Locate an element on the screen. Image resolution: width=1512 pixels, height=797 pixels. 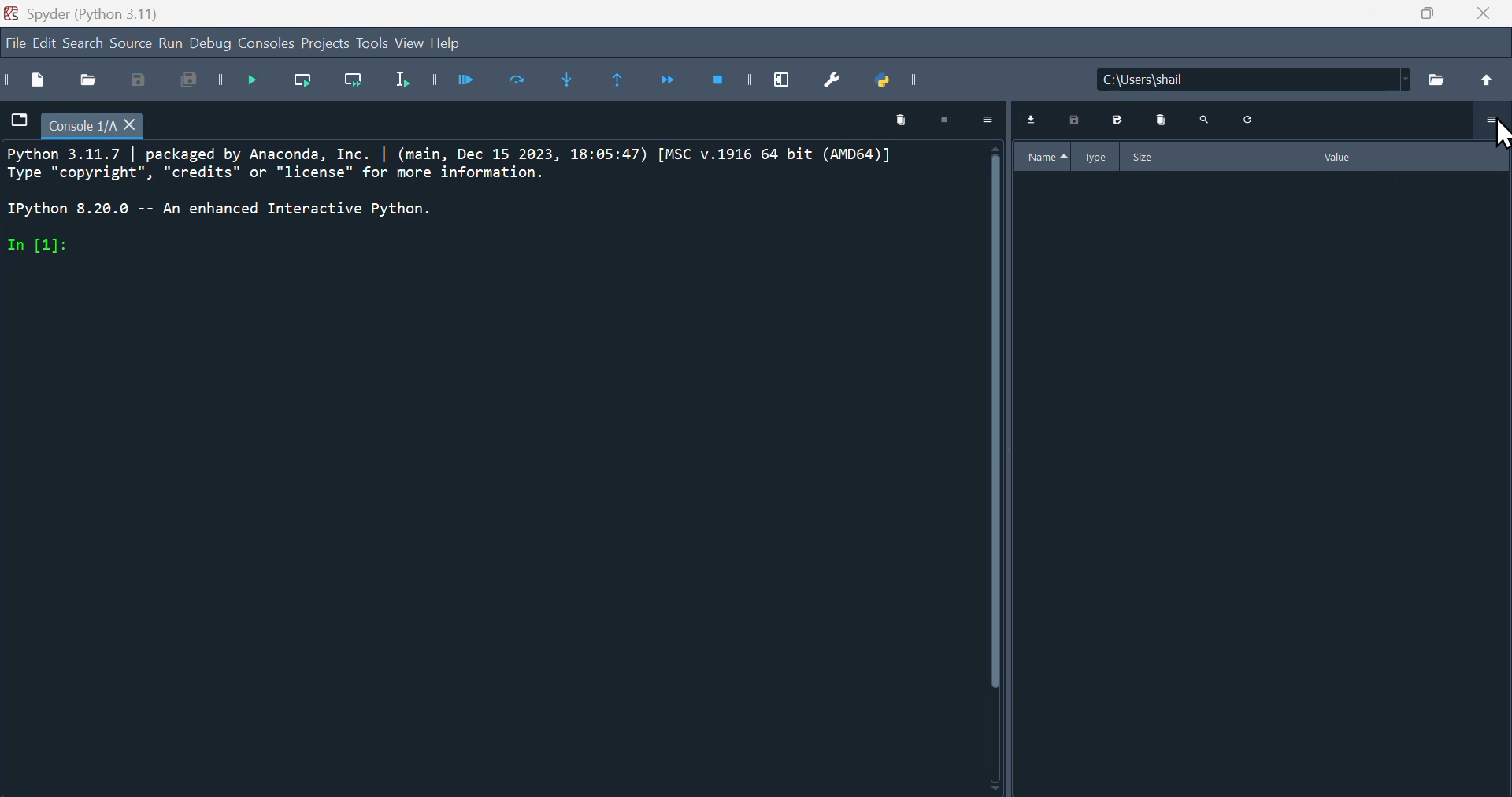
Delete panel is located at coordinates (894, 121).